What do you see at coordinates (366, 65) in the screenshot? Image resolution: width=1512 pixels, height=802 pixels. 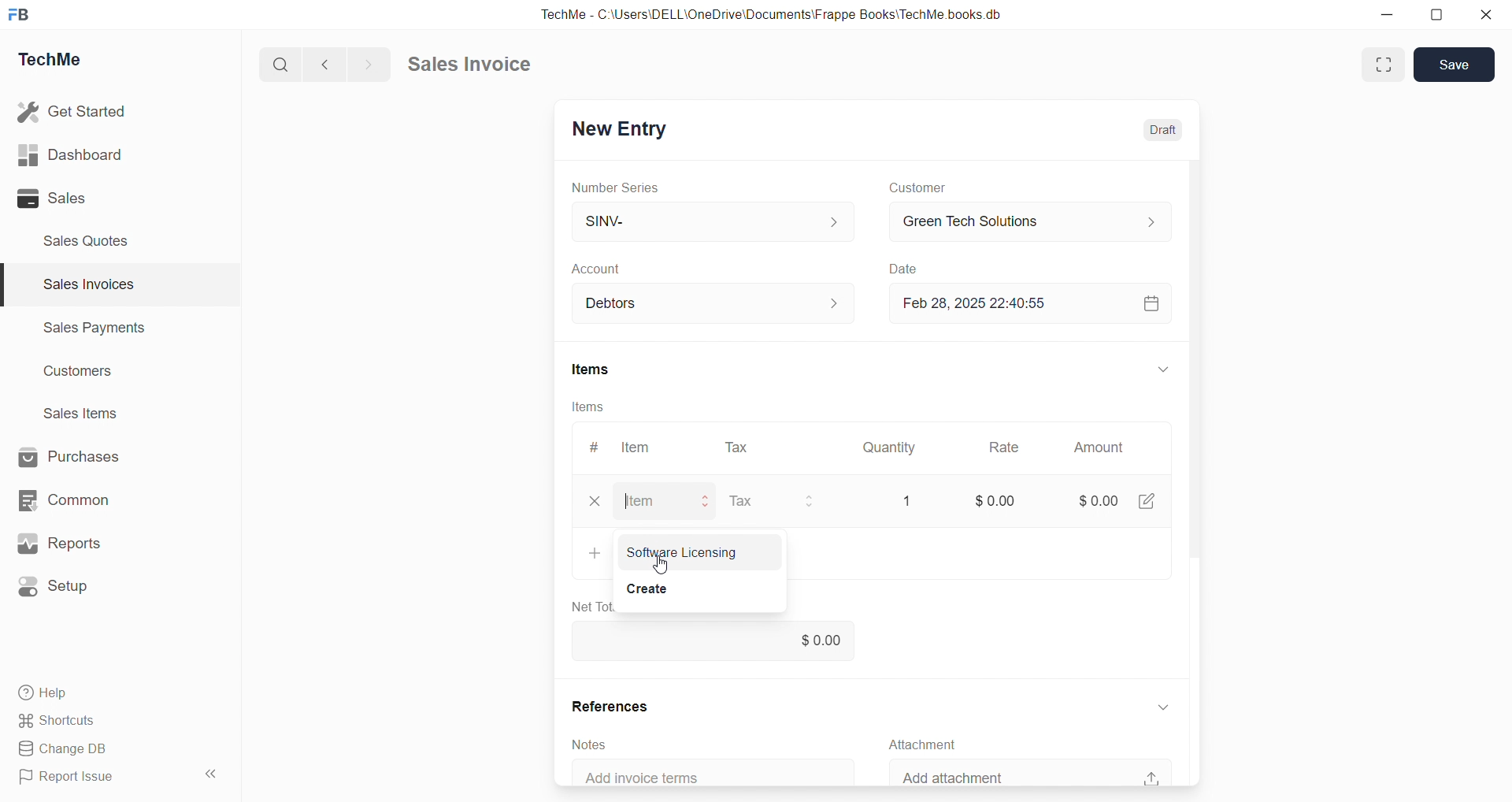 I see `forward` at bounding box center [366, 65].